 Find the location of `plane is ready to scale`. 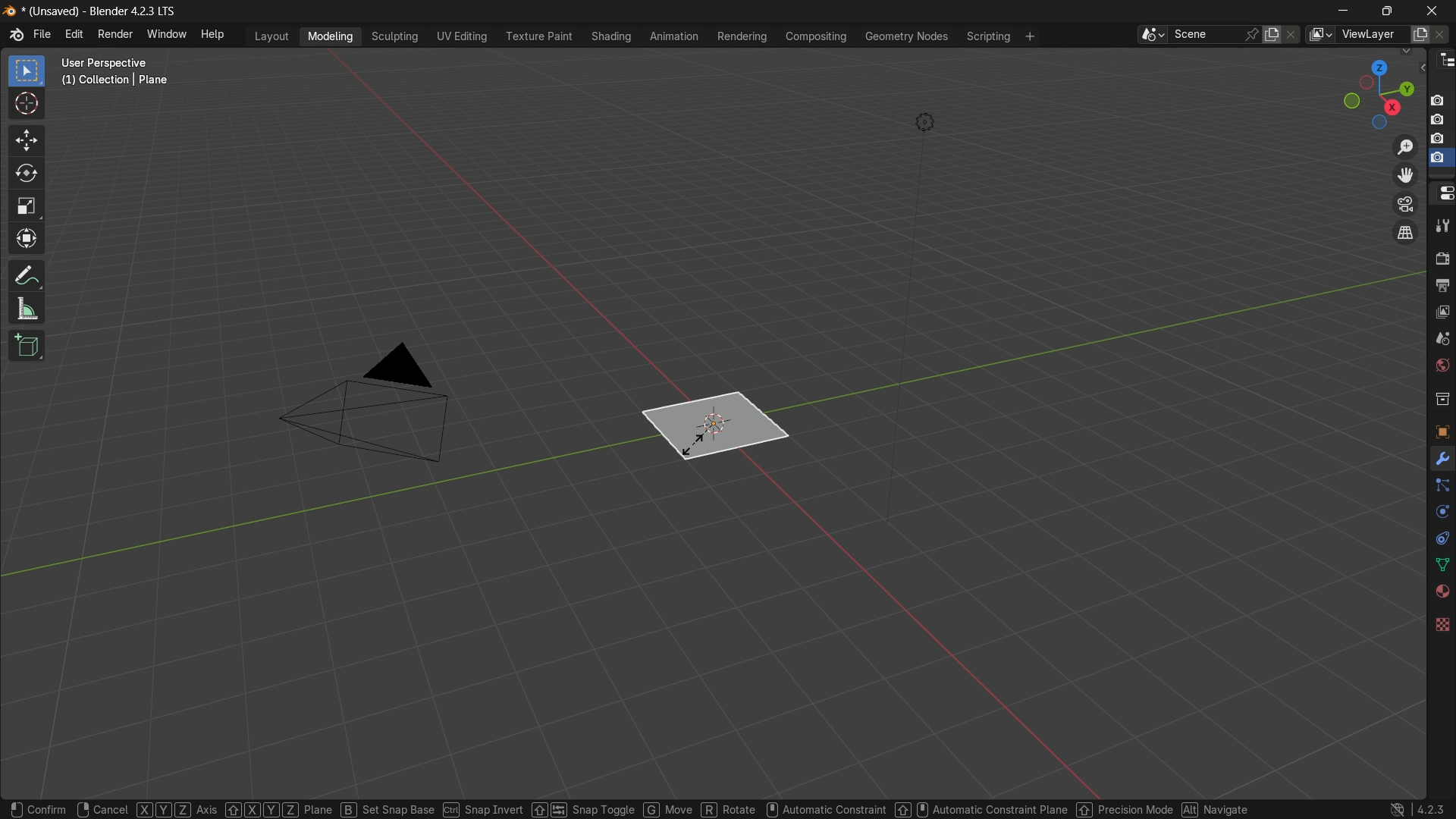

plane is ready to scale is located at coordinates (699, 439).